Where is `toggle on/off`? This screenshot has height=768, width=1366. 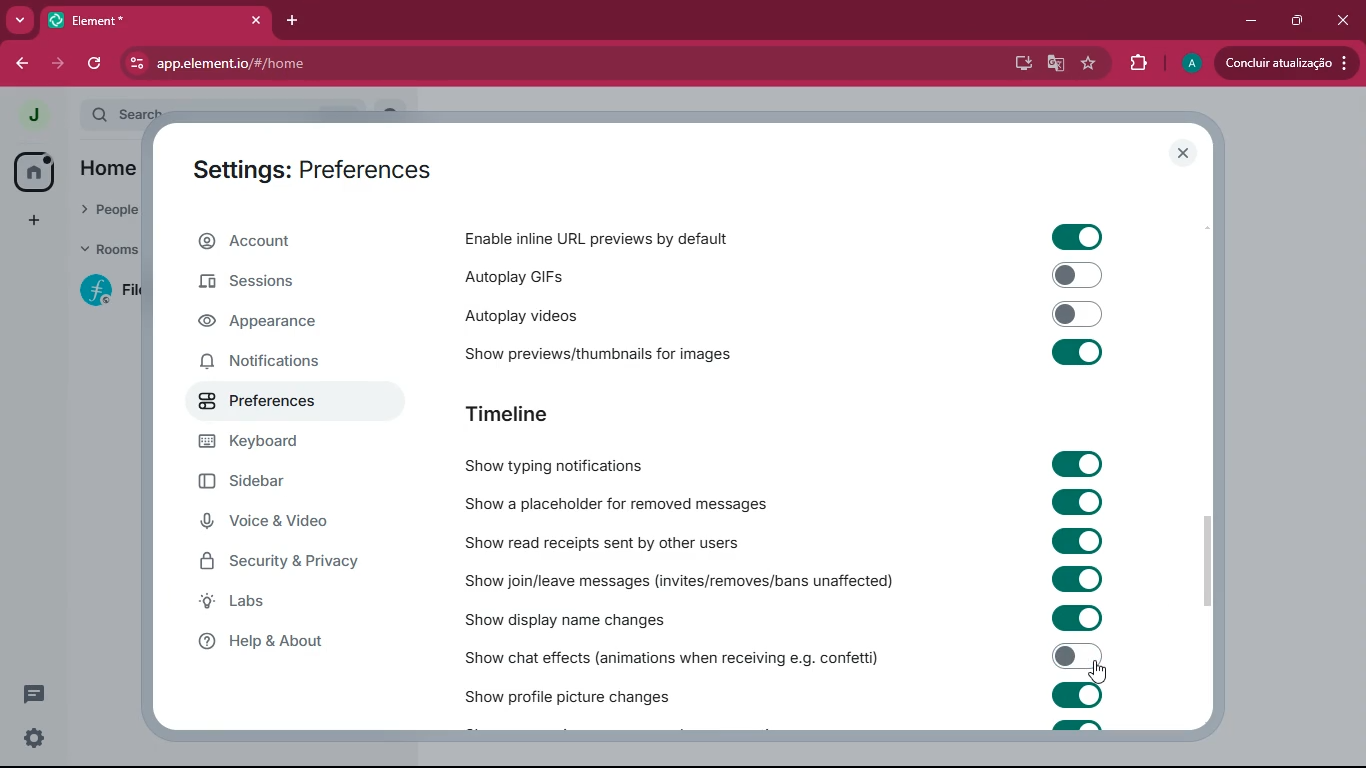 toggle on/off is located at coordinates (1079, 502).